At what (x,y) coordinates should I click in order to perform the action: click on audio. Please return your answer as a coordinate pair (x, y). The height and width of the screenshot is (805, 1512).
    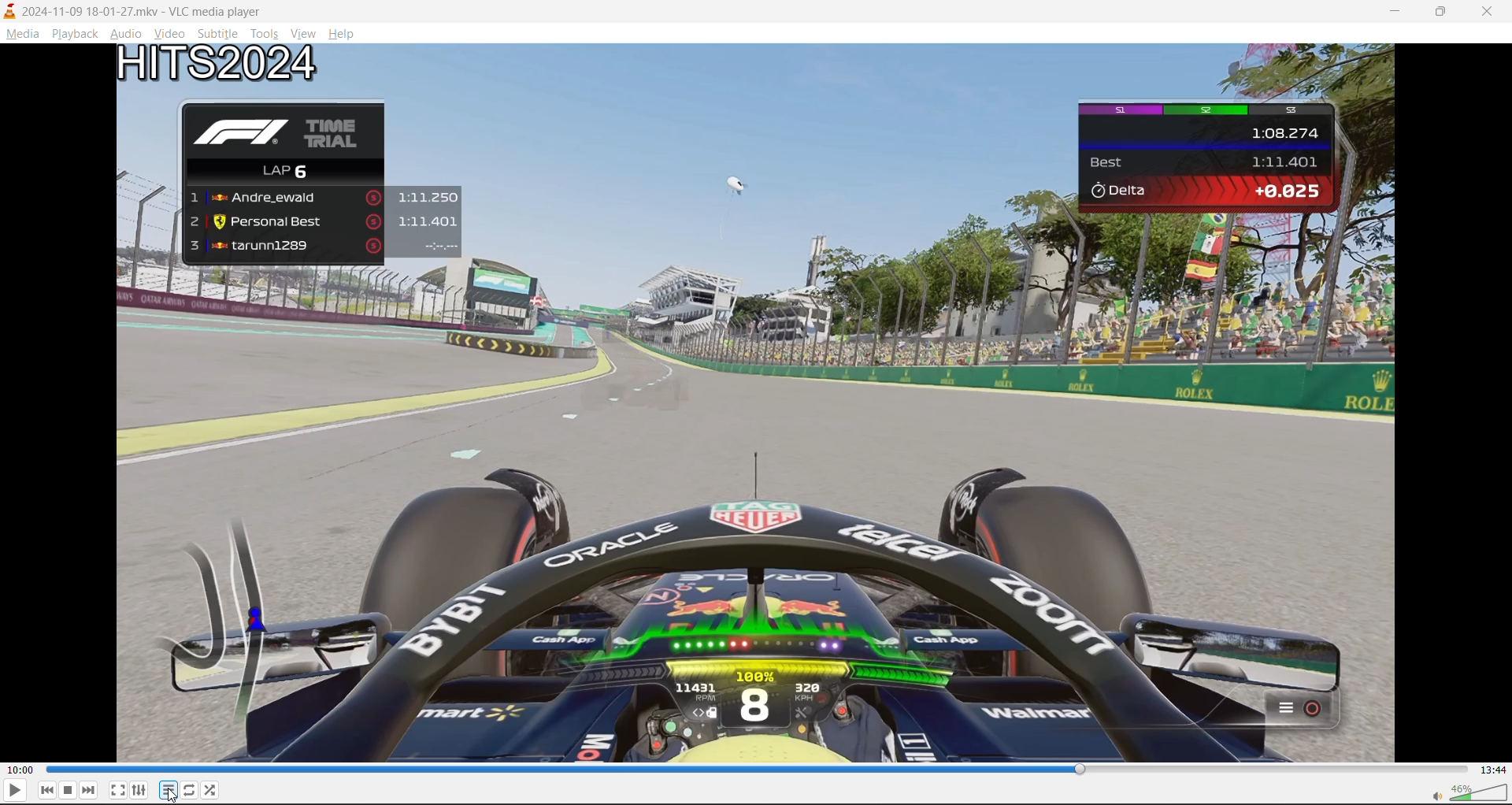
    Looking at the image, I should click on (125, 33).